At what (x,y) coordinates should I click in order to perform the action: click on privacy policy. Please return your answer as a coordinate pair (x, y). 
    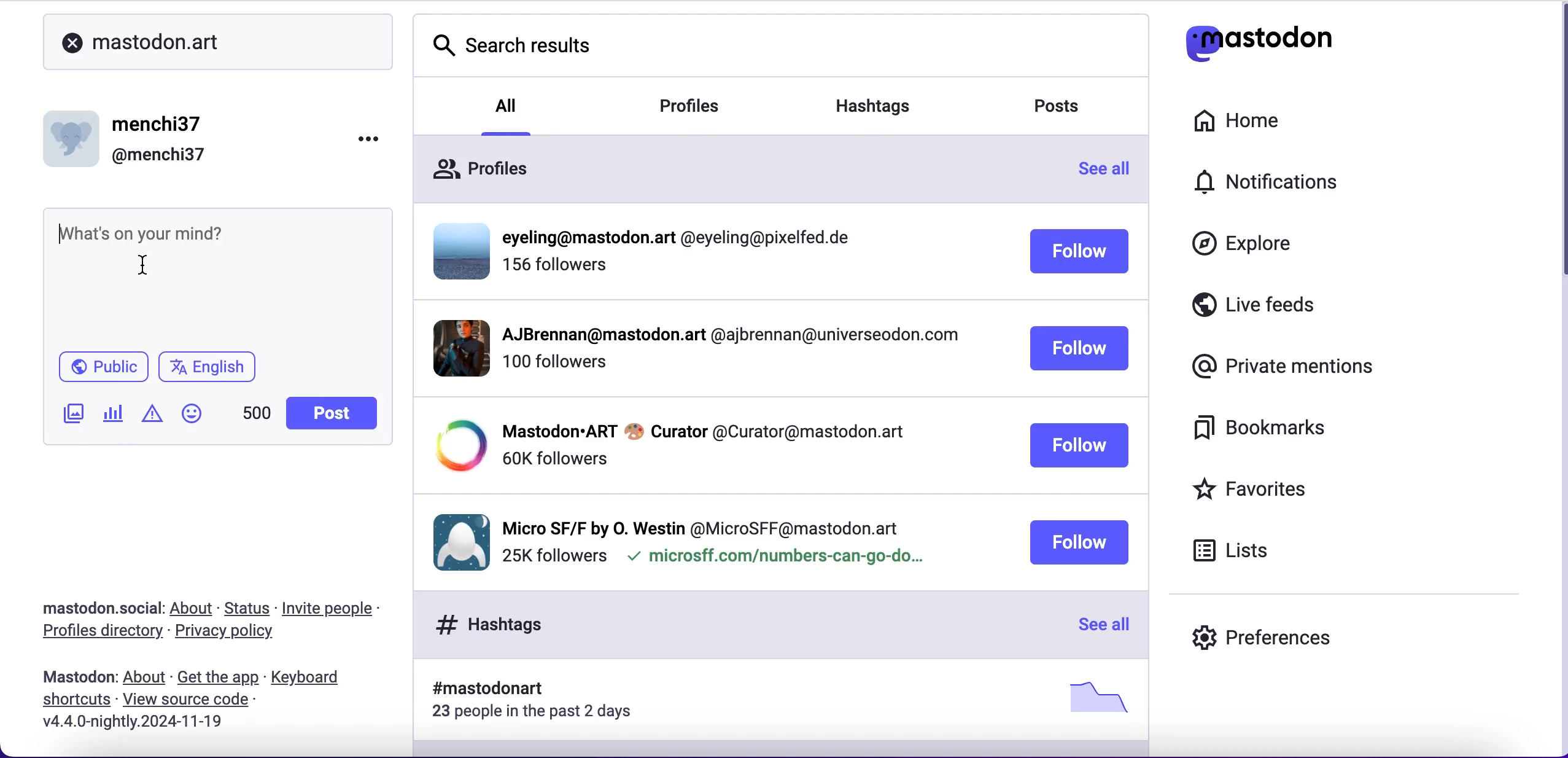
    Looking at the image, I should click on (230, 634).